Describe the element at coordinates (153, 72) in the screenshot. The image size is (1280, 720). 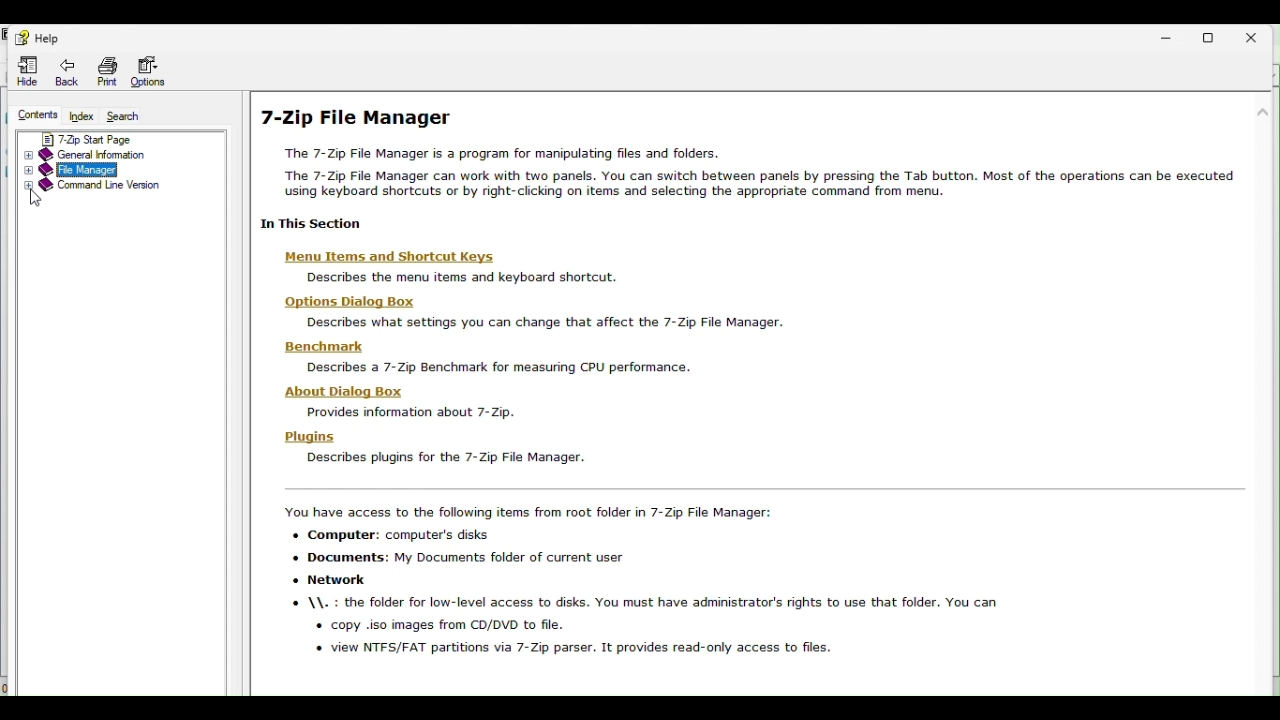
I see `Option` at that location.